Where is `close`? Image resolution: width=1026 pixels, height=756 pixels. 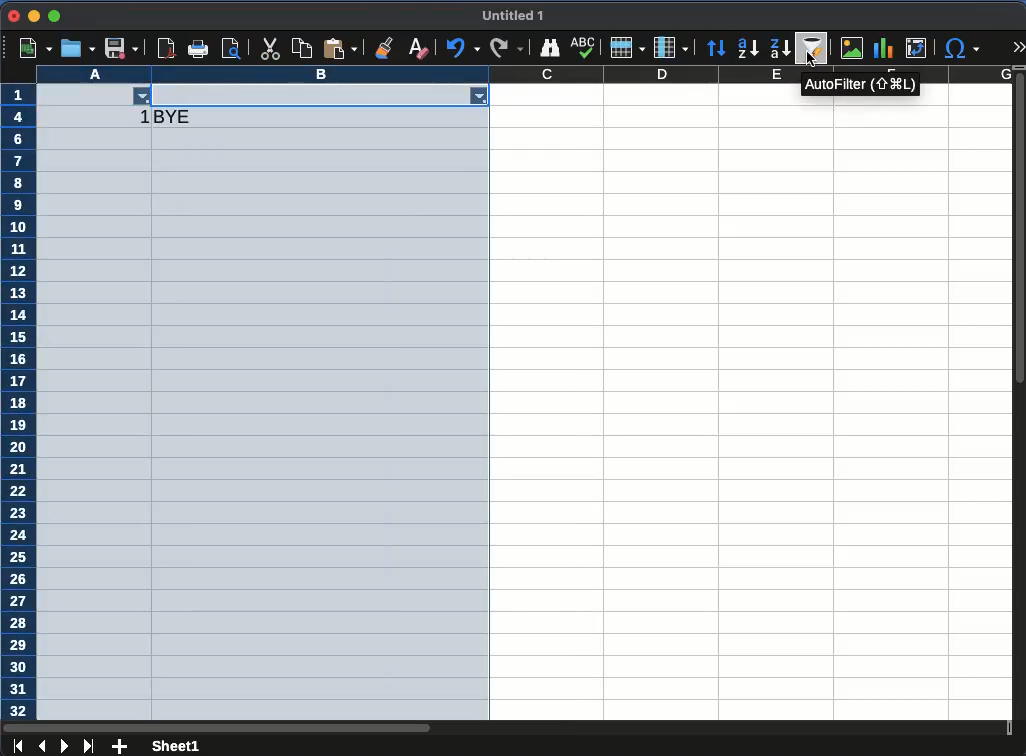 close is located at coordinates (13, 16).